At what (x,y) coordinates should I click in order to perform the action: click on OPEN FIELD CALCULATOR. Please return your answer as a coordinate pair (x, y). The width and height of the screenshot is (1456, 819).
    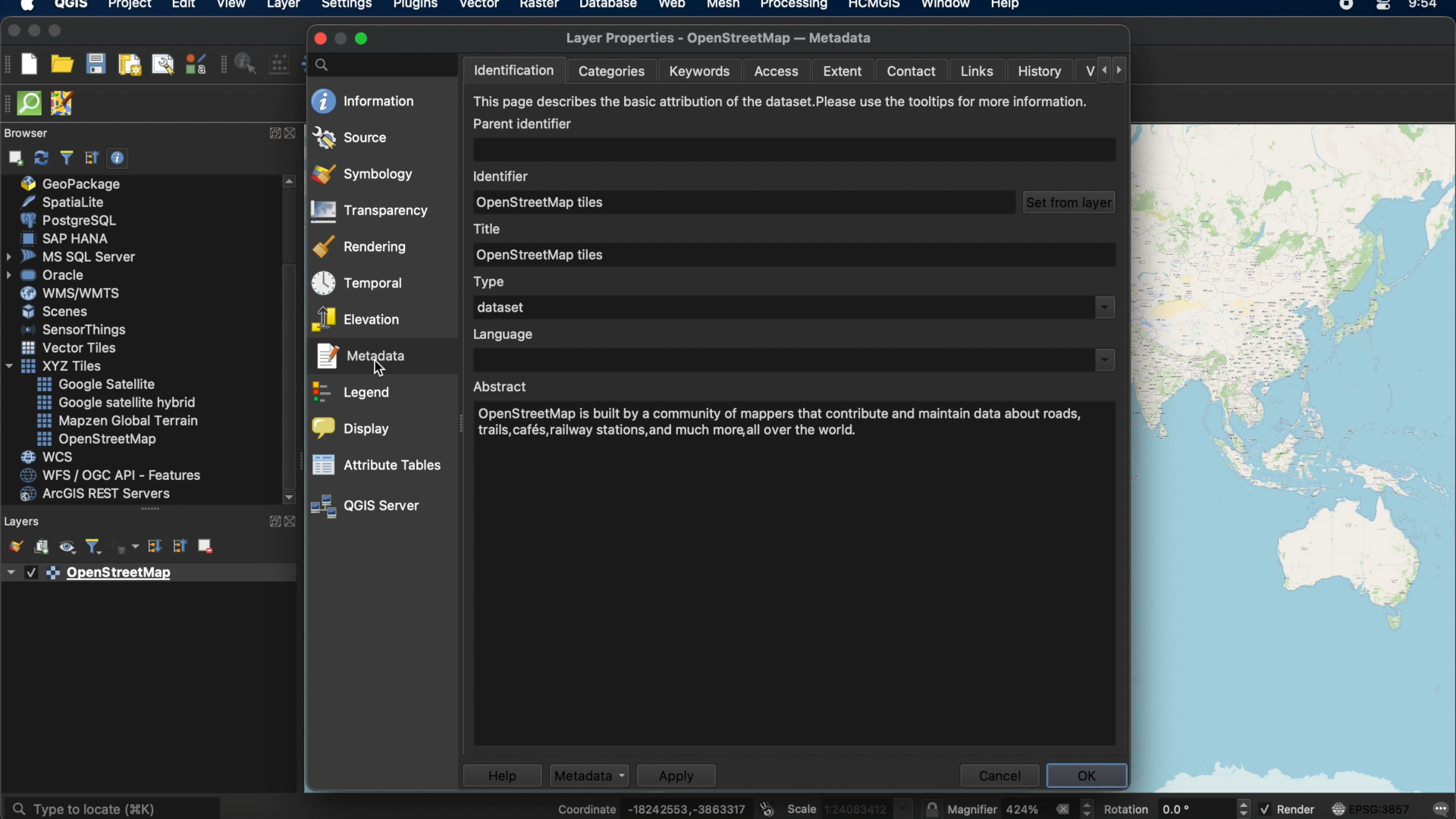
    Looking at the image, I should click on (283, 63).